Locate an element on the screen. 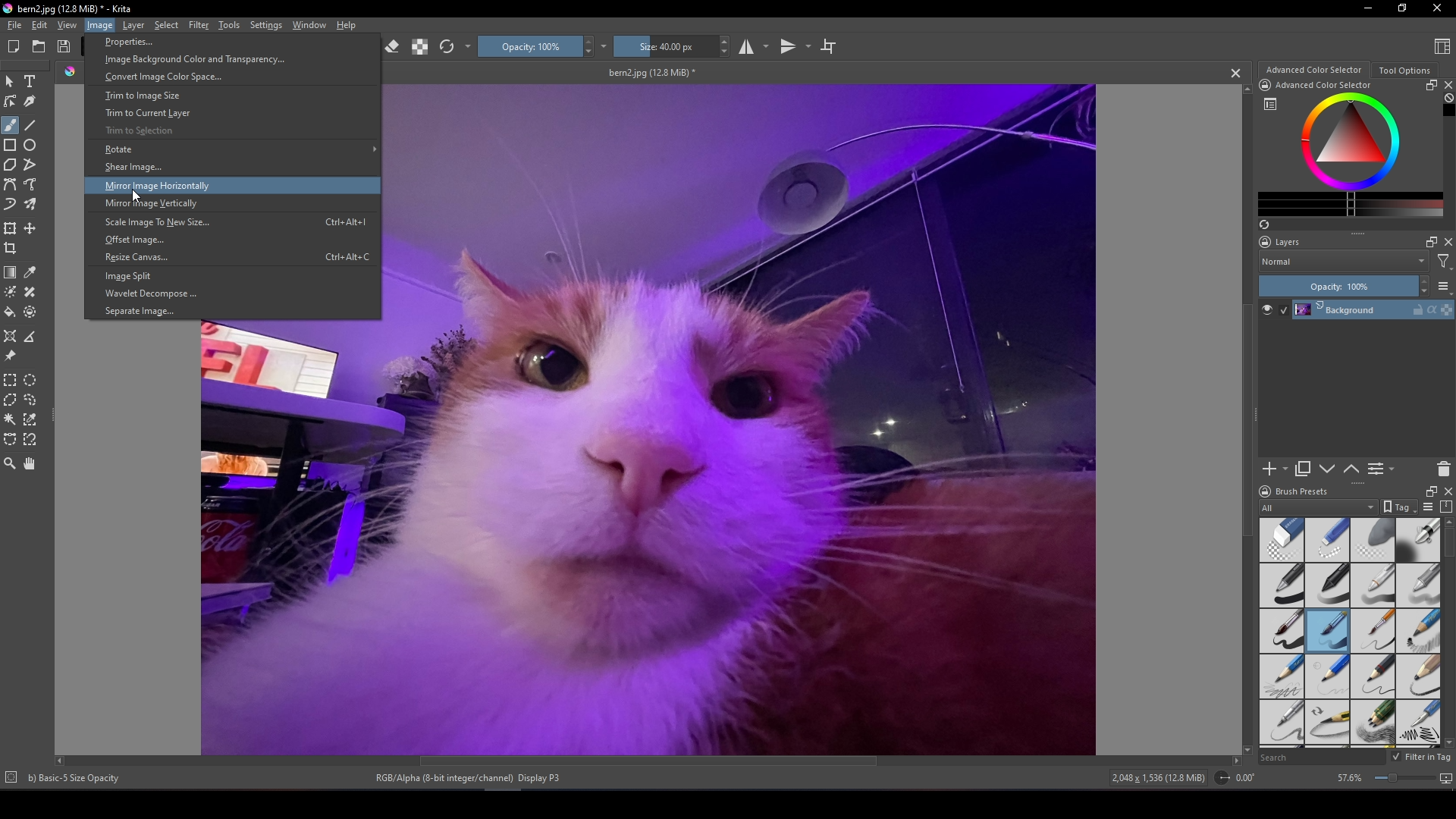 The width and height of the screenshot is (1456, 819). Elipse tool is located at coordinates (30, 145).